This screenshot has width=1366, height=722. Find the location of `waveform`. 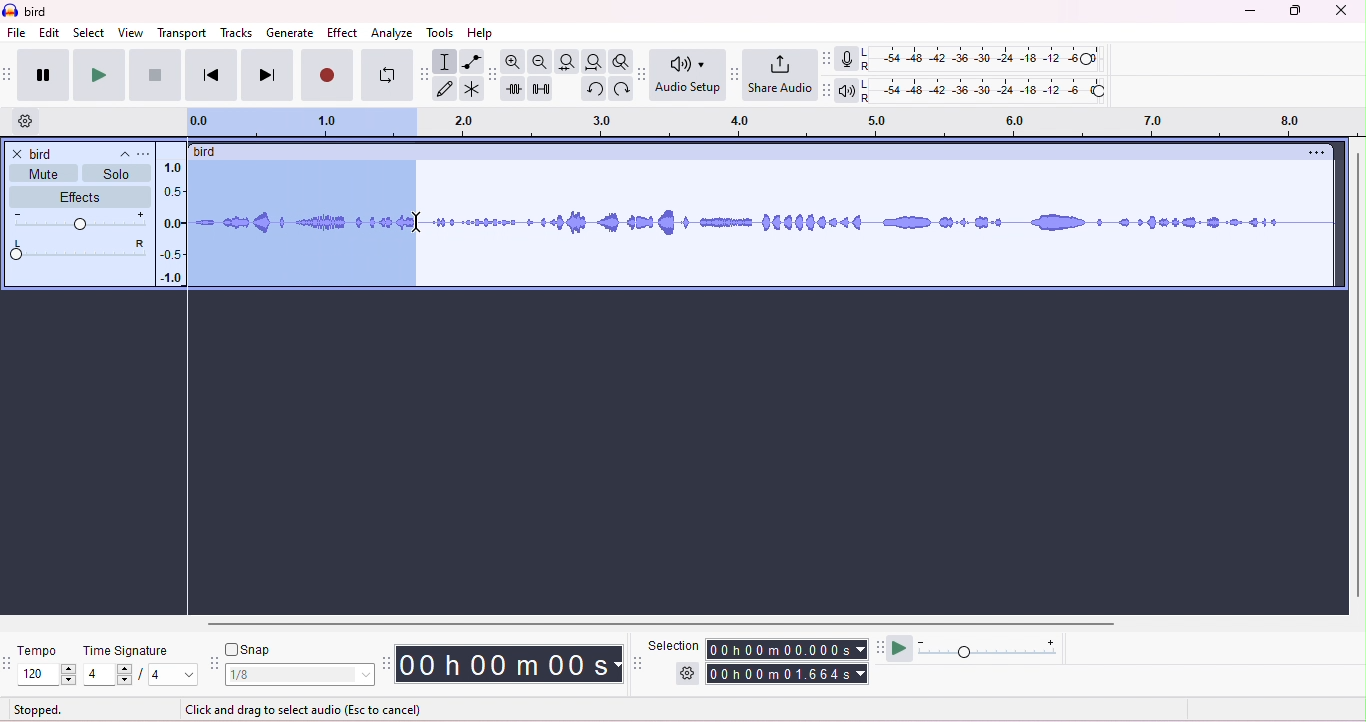

waveform is located at coordinates (883, 219).